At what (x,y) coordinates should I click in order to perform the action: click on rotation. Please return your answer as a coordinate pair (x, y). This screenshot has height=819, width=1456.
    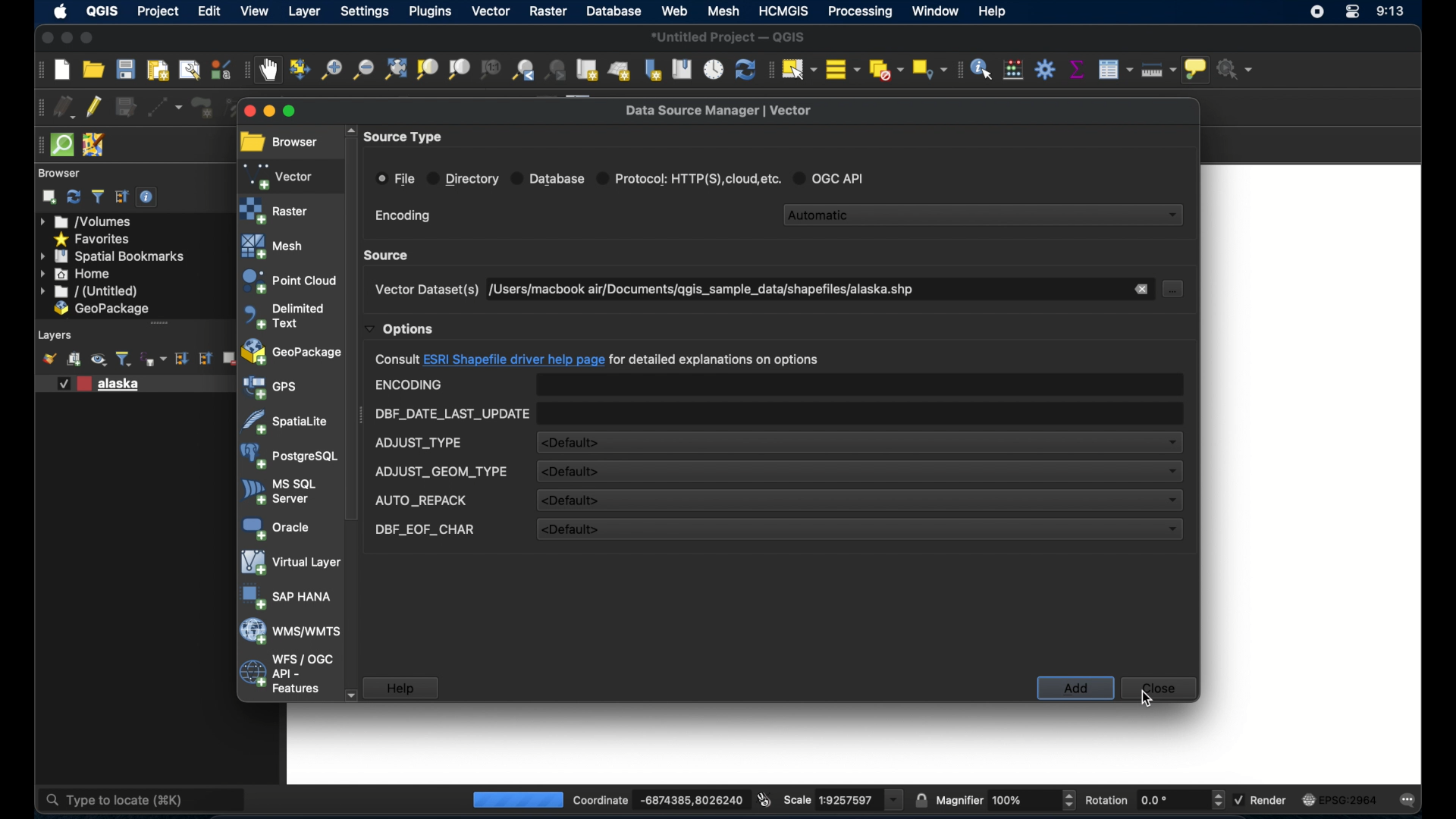
    Looking at the image, I should click on (1155, 800).